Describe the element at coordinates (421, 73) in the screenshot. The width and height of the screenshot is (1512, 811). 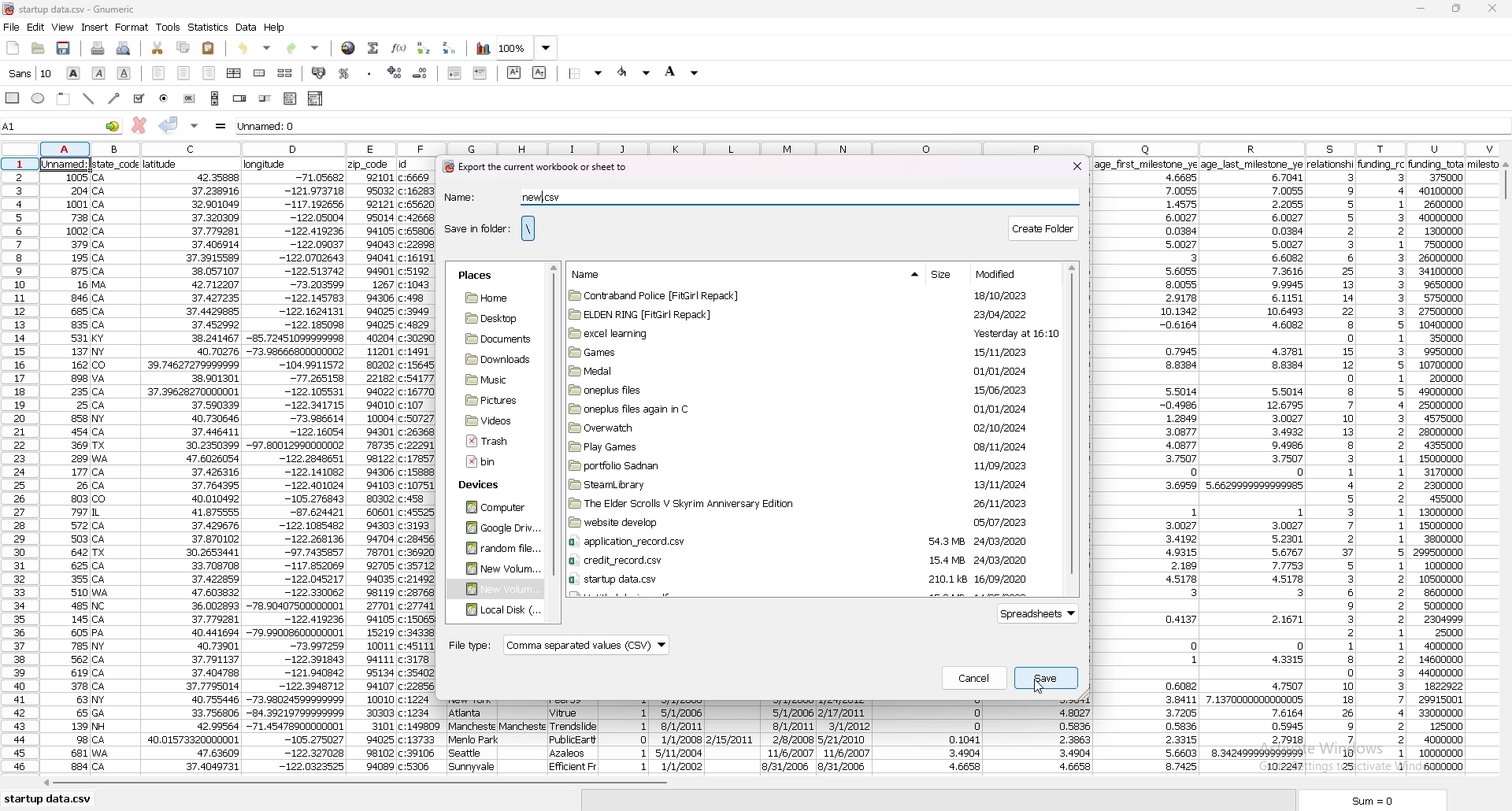
I see `decrease decimals` at that location.